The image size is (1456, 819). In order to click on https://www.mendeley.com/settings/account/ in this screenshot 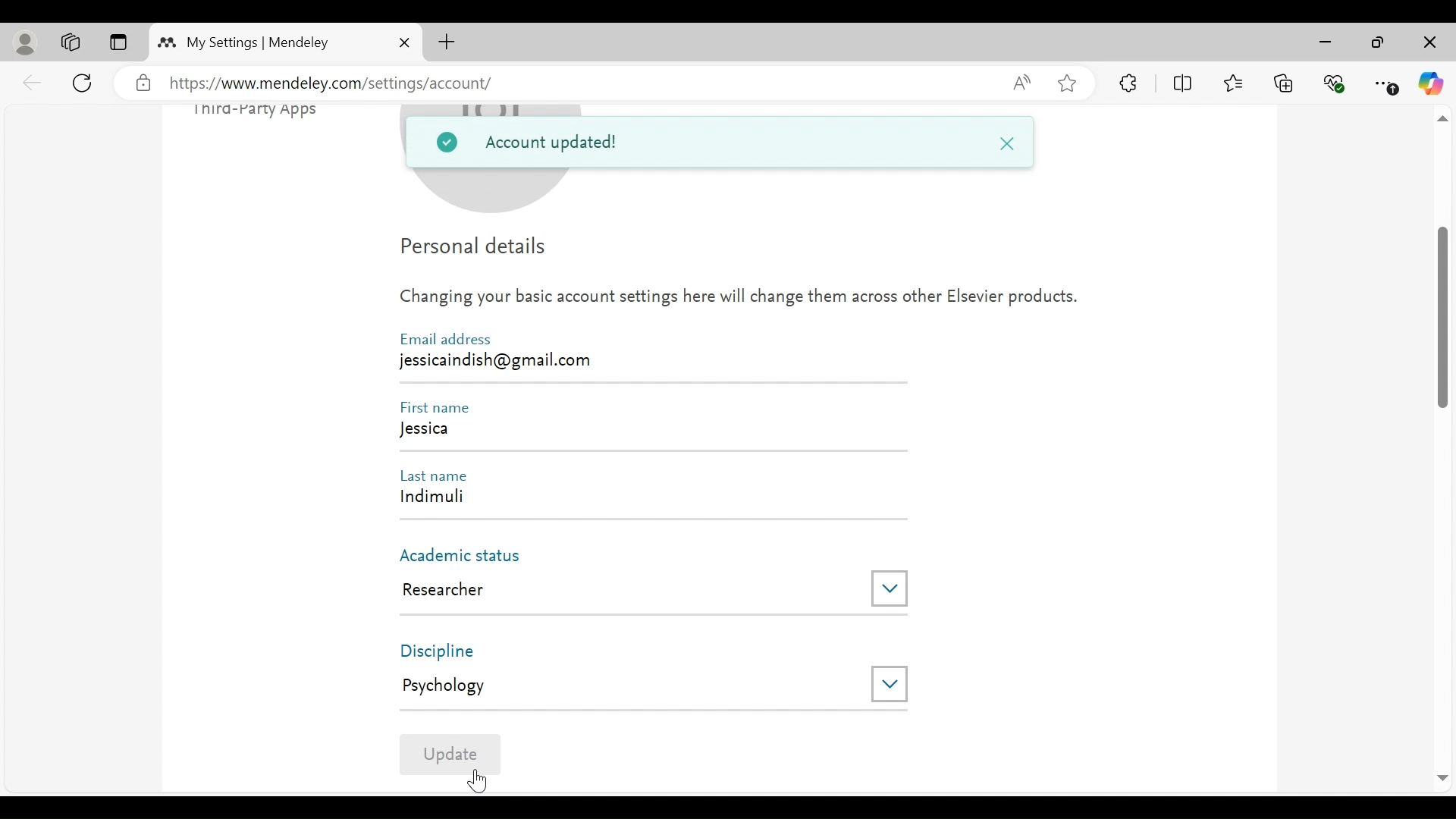, I will do `click(578, 84)`.